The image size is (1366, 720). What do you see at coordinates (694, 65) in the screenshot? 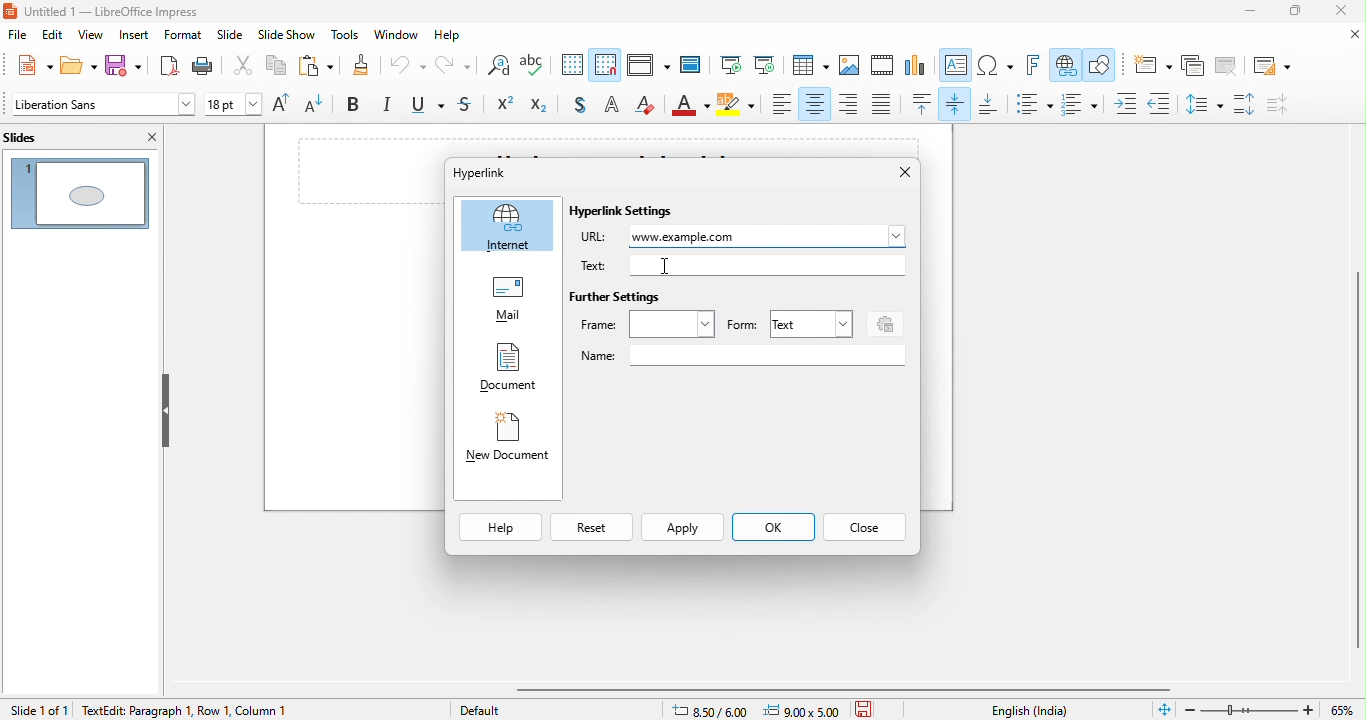
I see `master slide` at bounding box center [694, 65].